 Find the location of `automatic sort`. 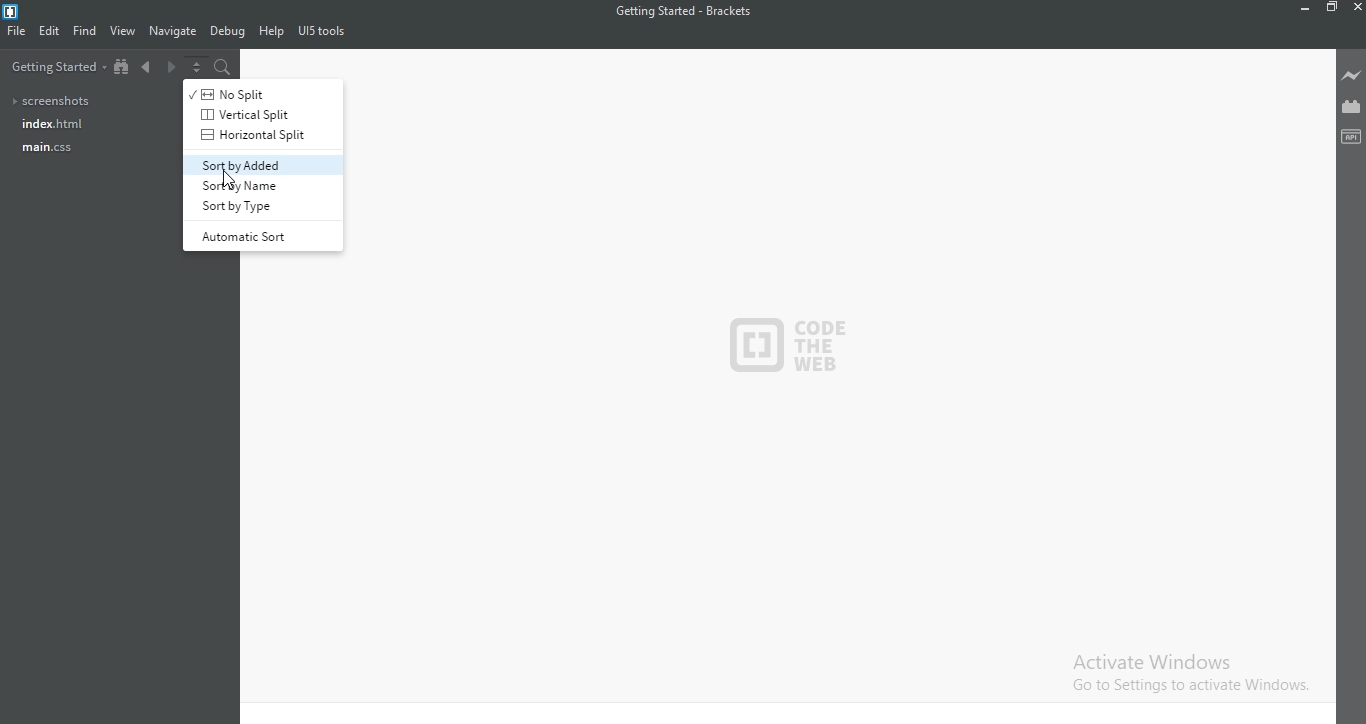

automatic sort is located at coordinates (261, 234).